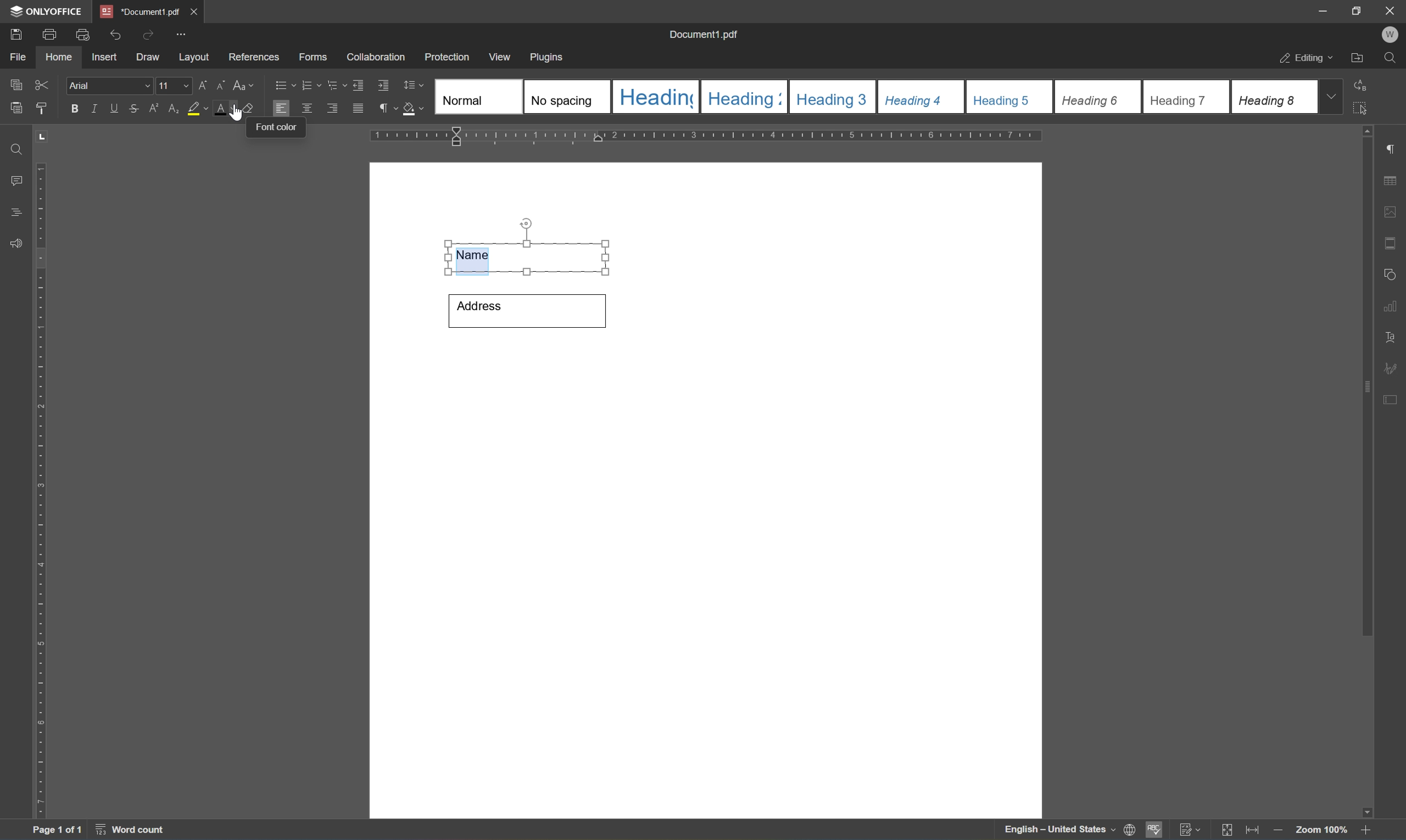 The height and width of the screenshot is (840, 1406). Describe the element at coordinates (253, 57) in the screenshot. I see `references` at that location.